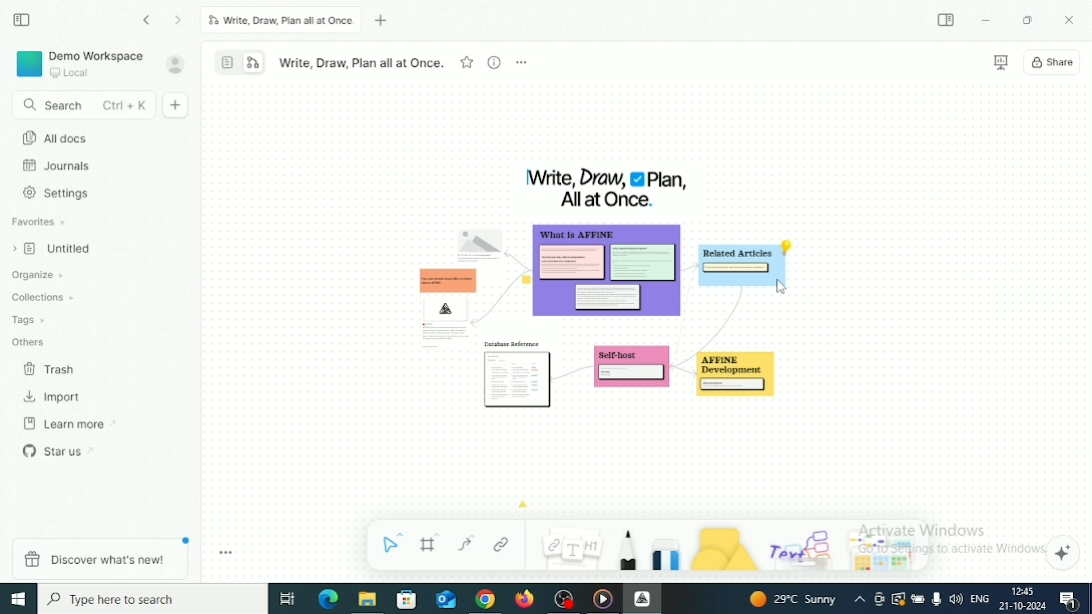 Image resolution: width=1092 pixels, height=614 pixels. Describe the element at coordinates (1000, 63) in the screenshot. I see `Presentation` at that location.